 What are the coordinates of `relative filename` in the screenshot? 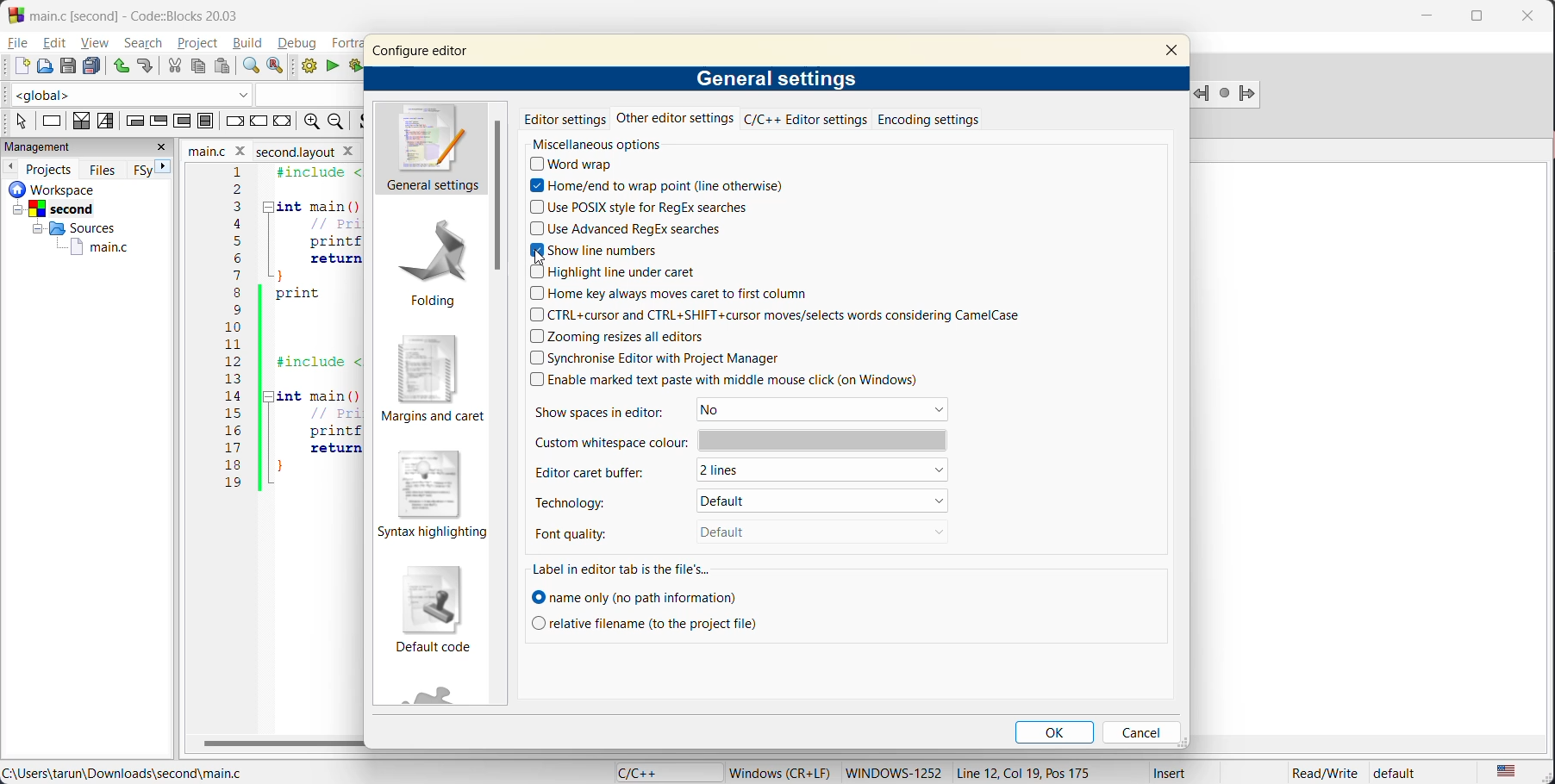 It's located at (647, 623).